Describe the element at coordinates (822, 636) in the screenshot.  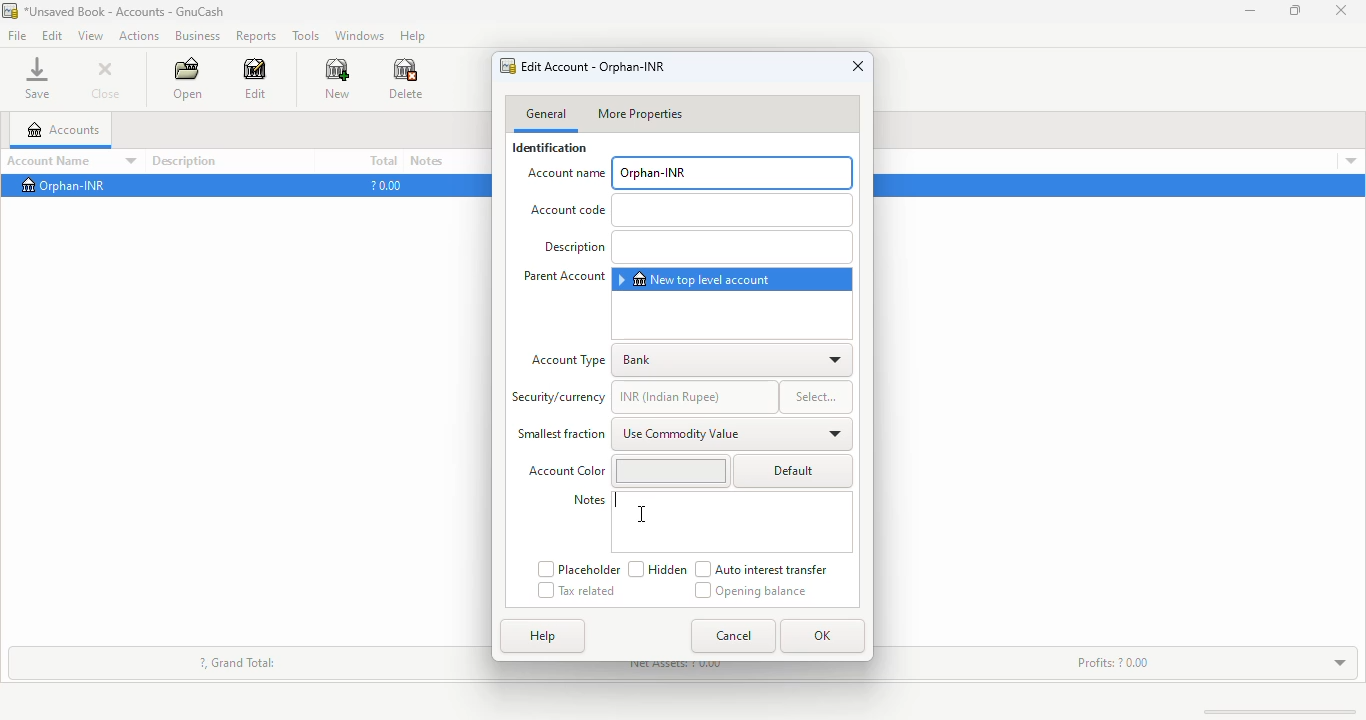
I see `OK` at that location.